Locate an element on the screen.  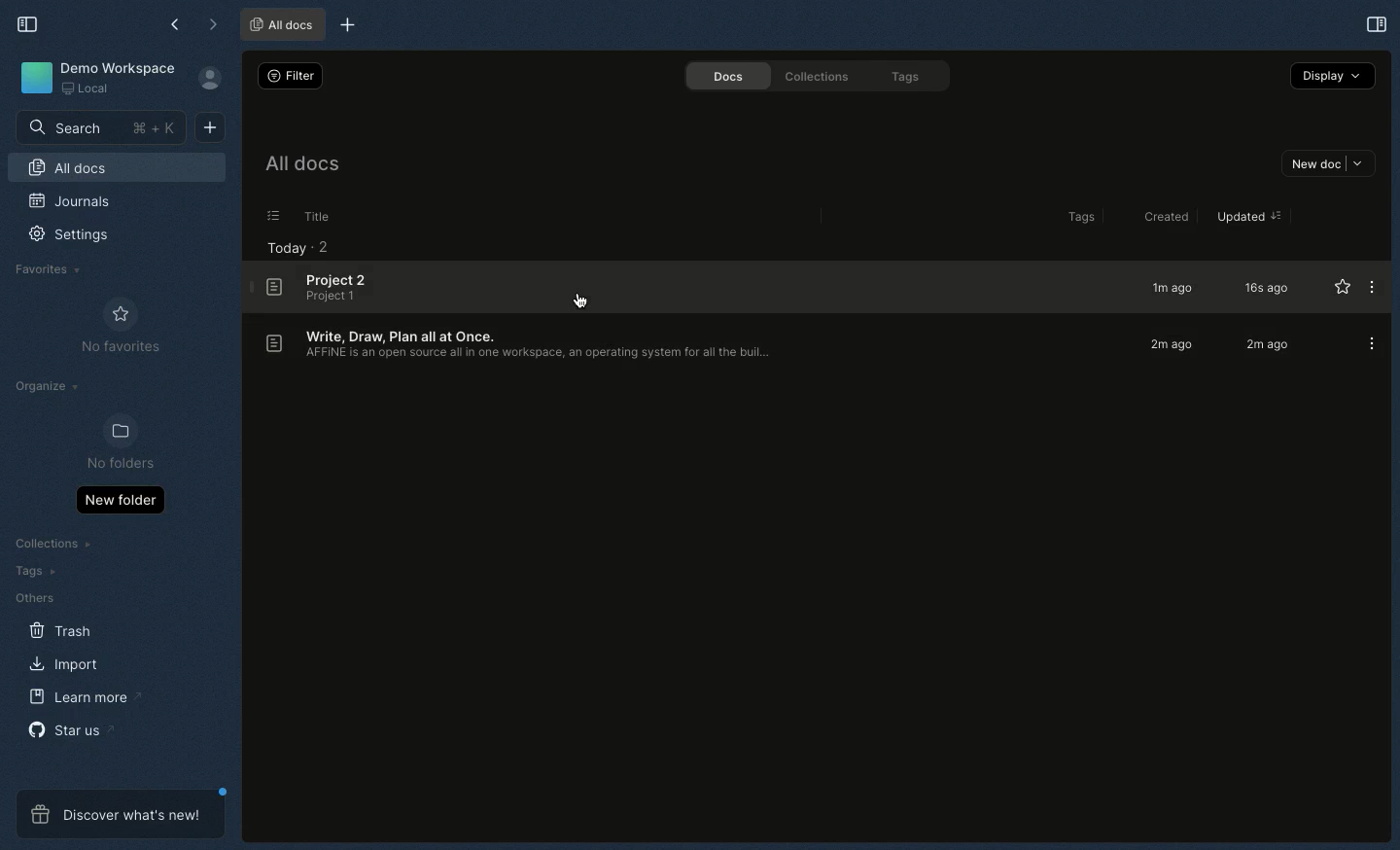
Icon is located at coordinates (32, 78).